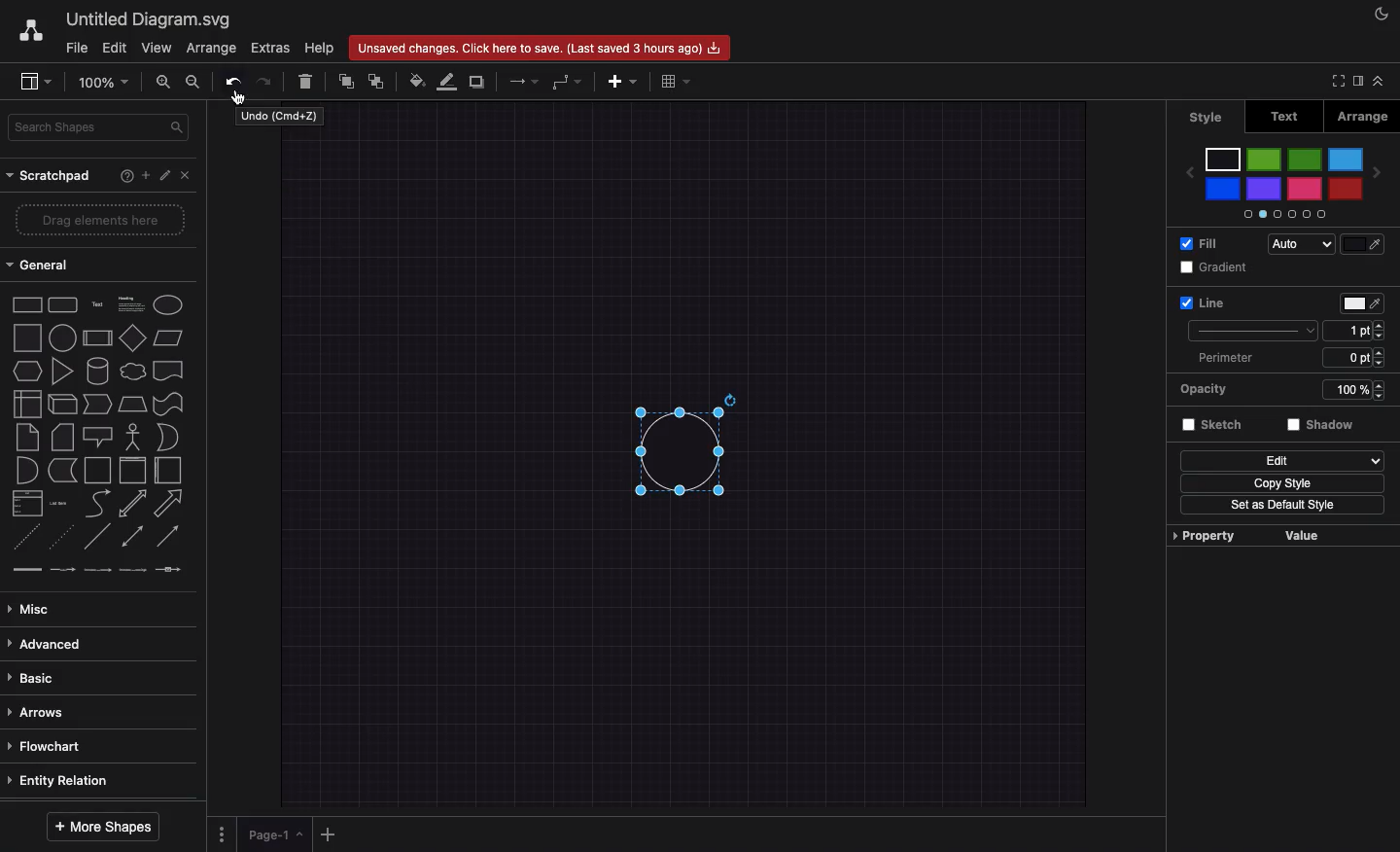 Image resolution: width=1400 pixels, height=852 pixels. What do you see at coordinates (268, 81) in the screenshot?
I see `Redo` at bounding box center [268, 81].